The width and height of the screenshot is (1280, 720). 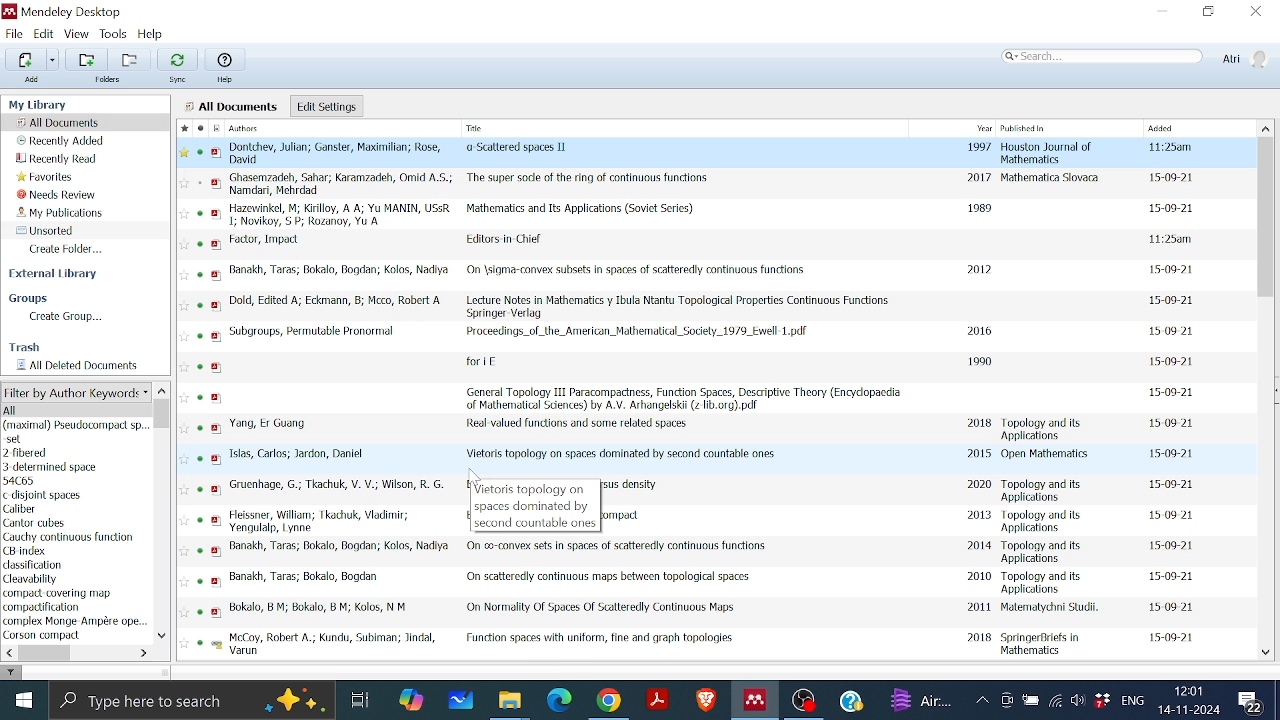 I want to click on keyword, so click(x=32, y=442).